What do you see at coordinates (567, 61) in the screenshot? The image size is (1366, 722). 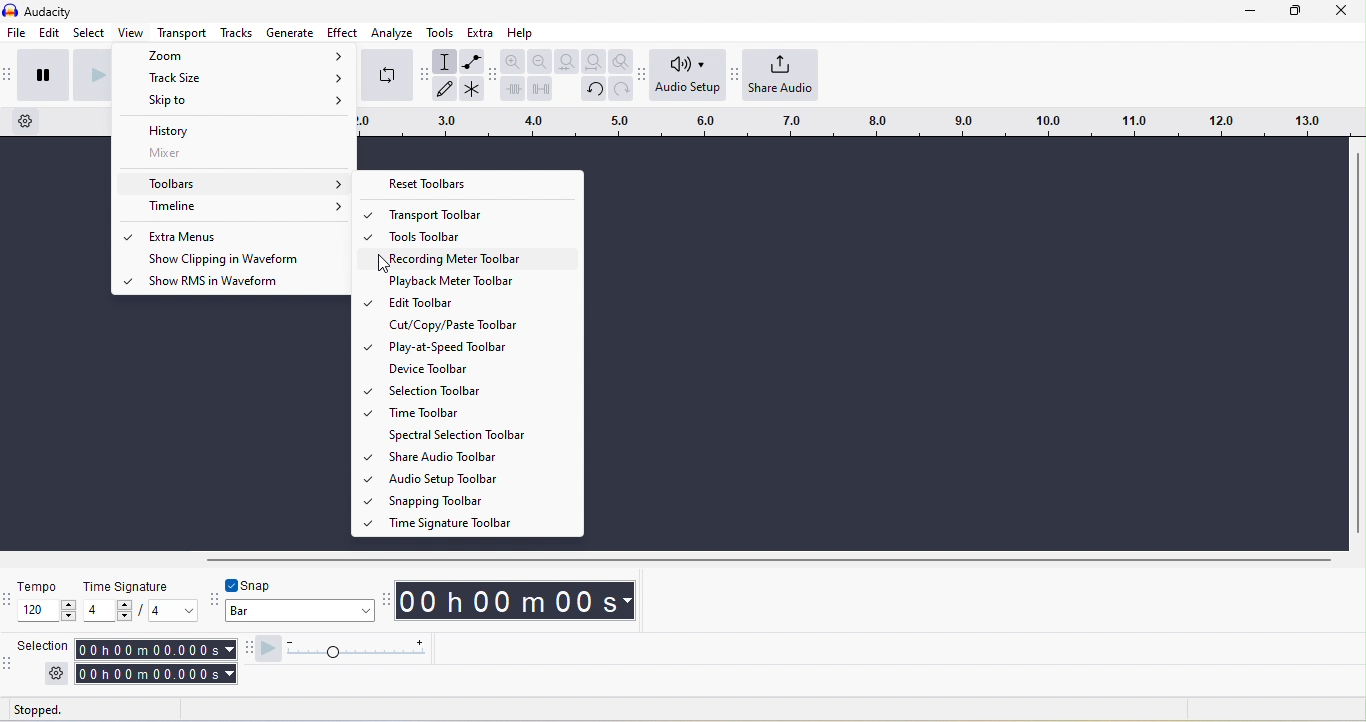 I see `fit selection to width` at bounding box center [567, 61].